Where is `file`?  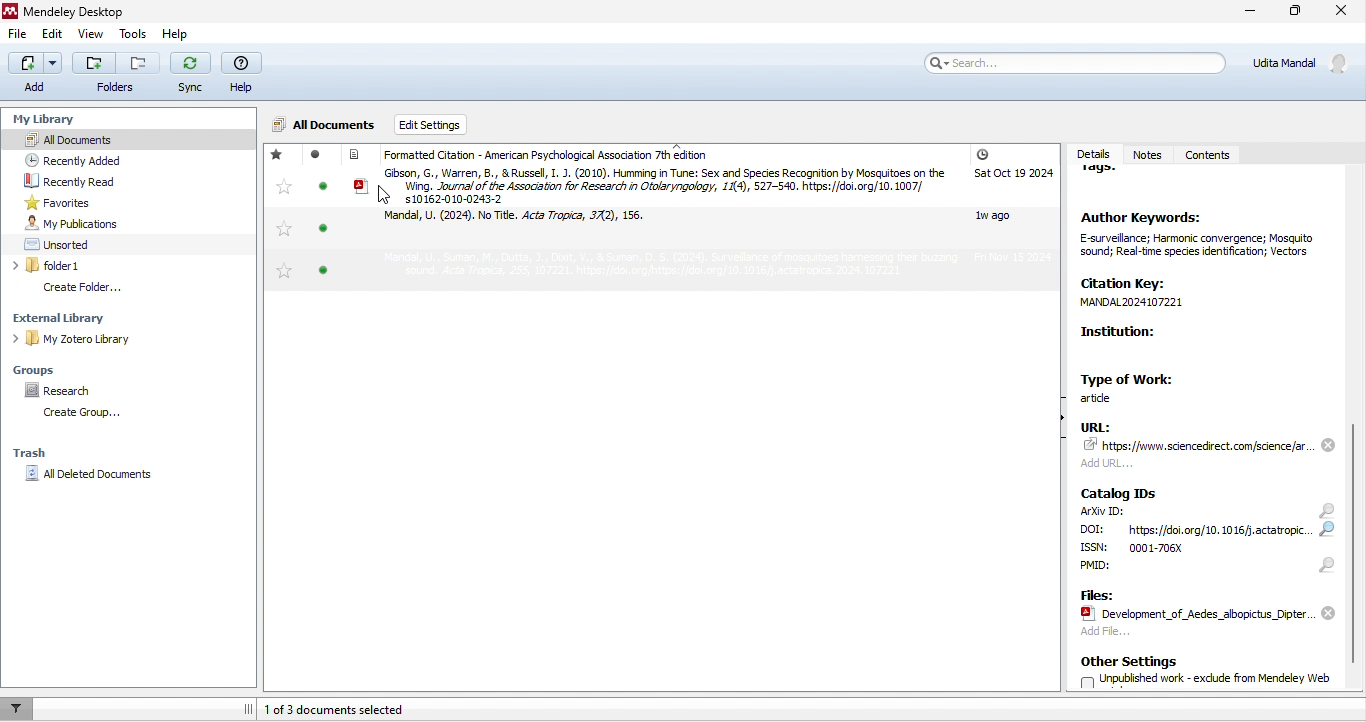 file is located at coordinates (20, 37).